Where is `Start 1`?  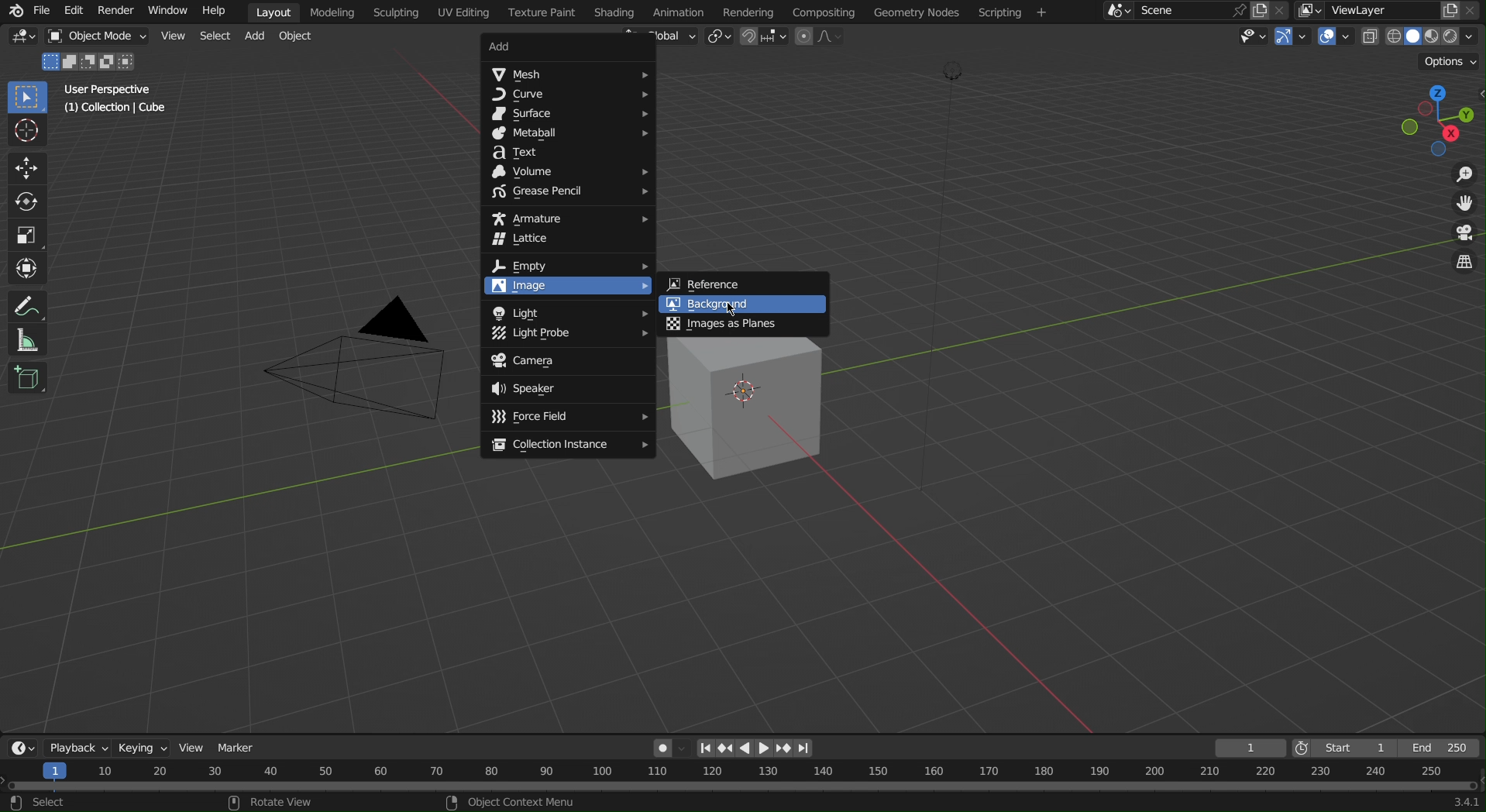
Start 1 is located at coordinates (1344, 746).